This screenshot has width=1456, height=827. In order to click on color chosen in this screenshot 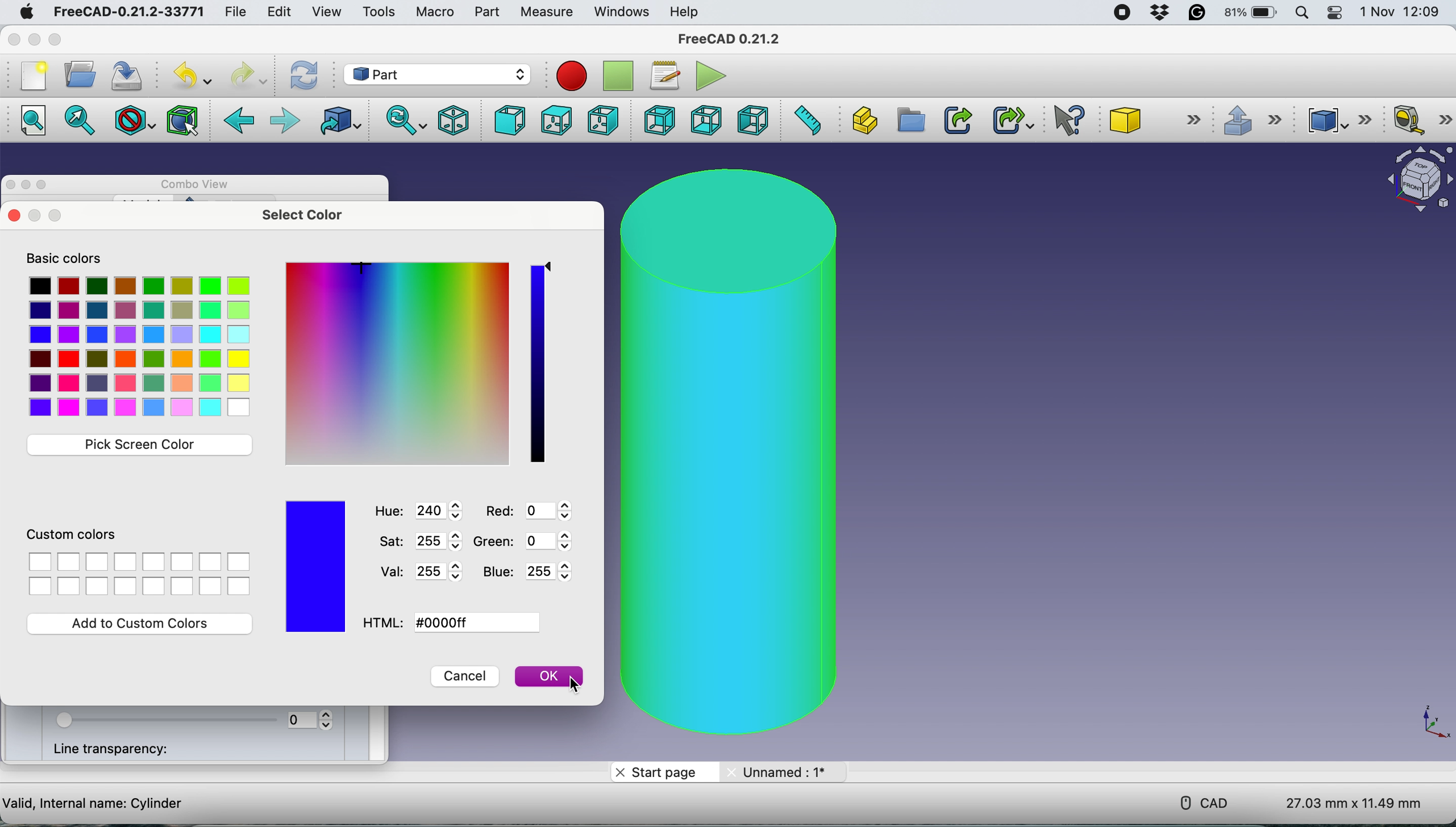, I will do `click(318, 570)`.